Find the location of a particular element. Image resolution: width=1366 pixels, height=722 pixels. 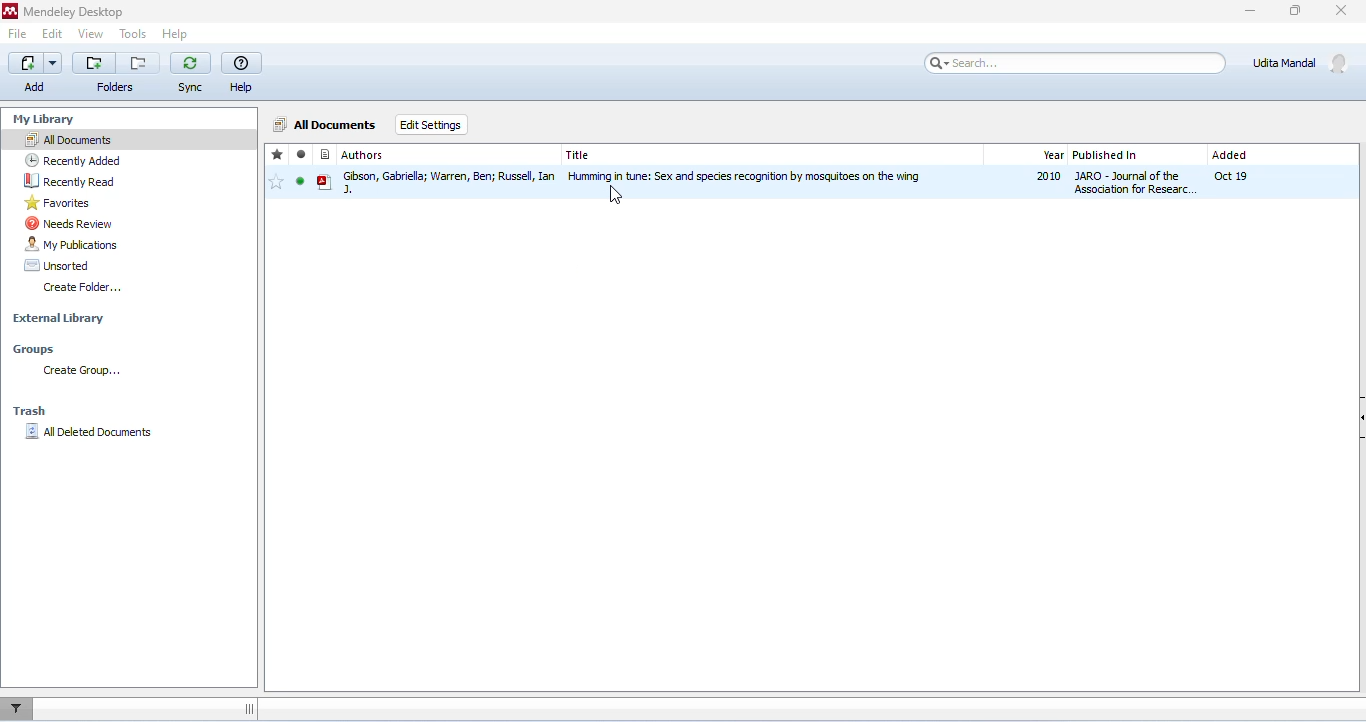

edit is located at coordinates (51, 35).